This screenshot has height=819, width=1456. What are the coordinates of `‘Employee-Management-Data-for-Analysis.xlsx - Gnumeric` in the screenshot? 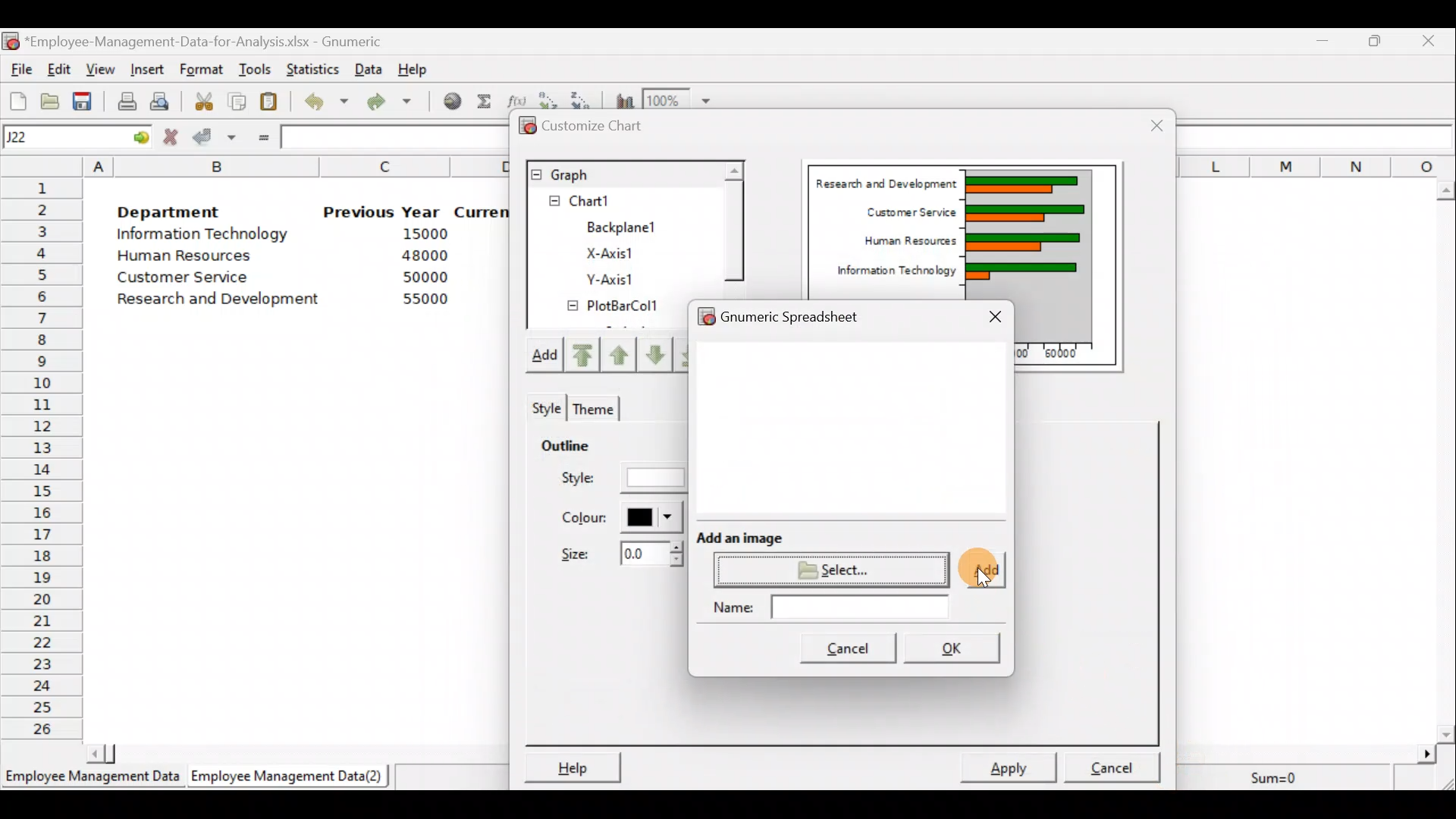 It's located at (219, 42).